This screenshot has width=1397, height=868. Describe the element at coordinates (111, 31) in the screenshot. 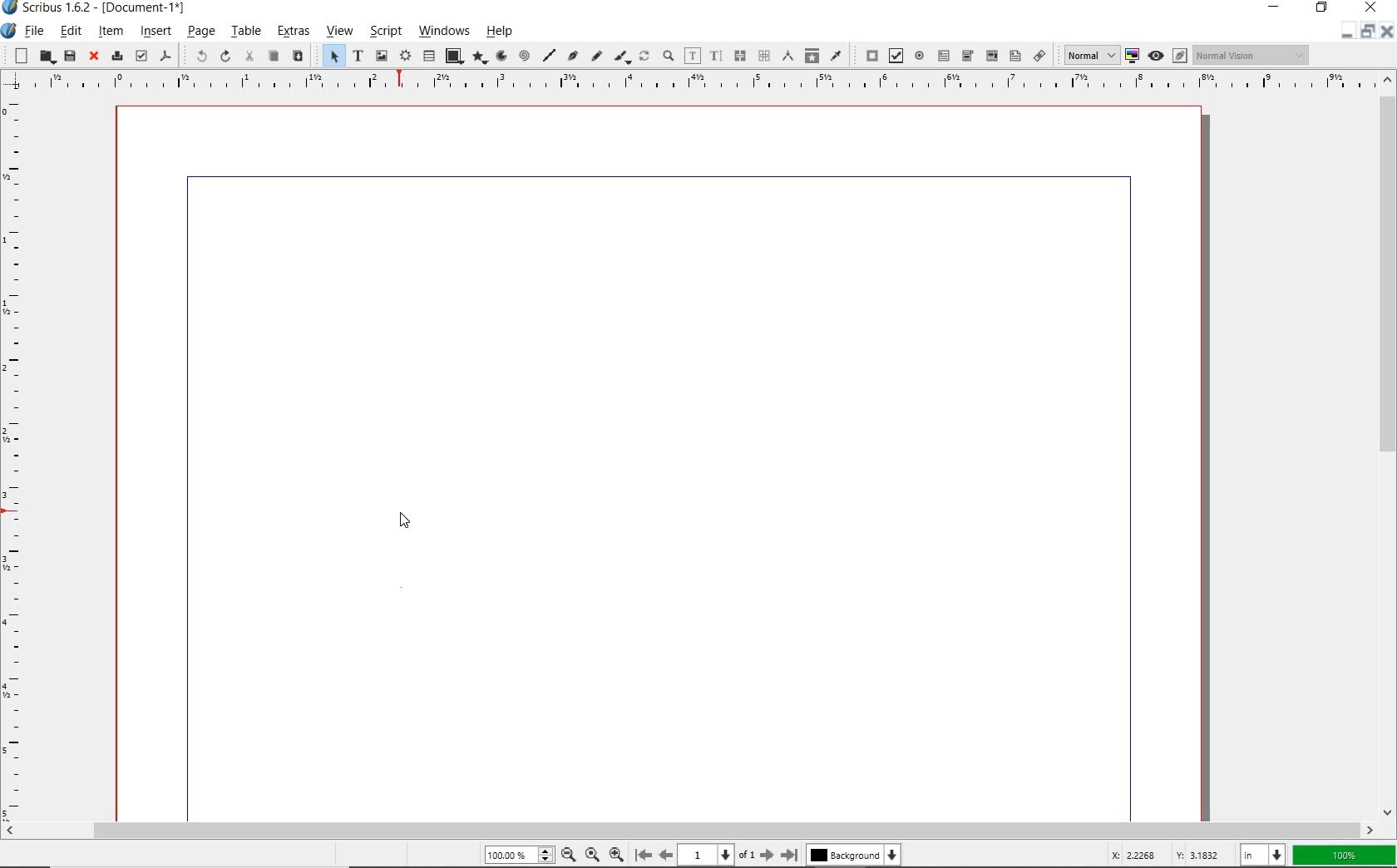

I see `item` at that location.